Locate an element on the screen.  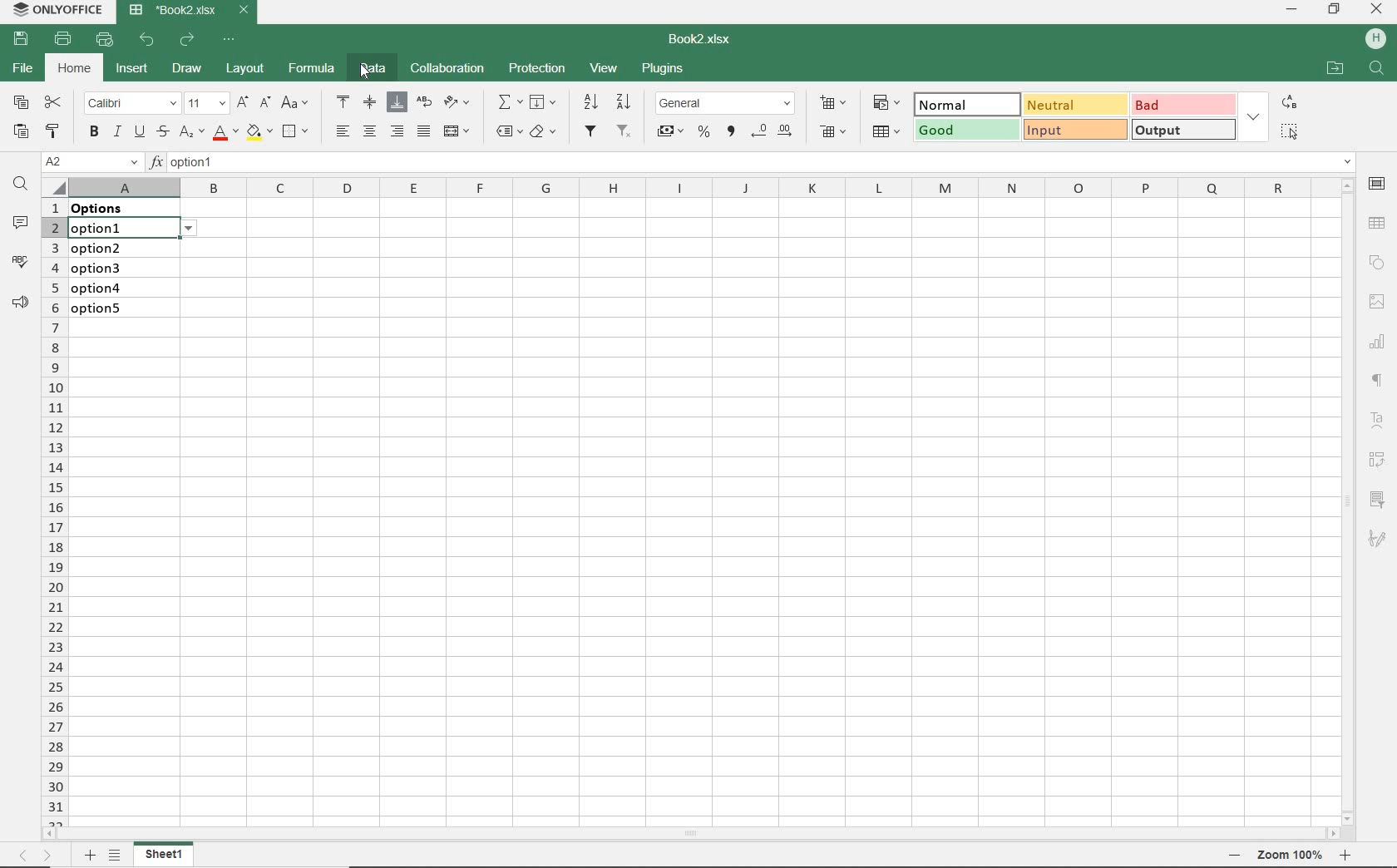
SHAPE is located at coordinates (1379, 263).